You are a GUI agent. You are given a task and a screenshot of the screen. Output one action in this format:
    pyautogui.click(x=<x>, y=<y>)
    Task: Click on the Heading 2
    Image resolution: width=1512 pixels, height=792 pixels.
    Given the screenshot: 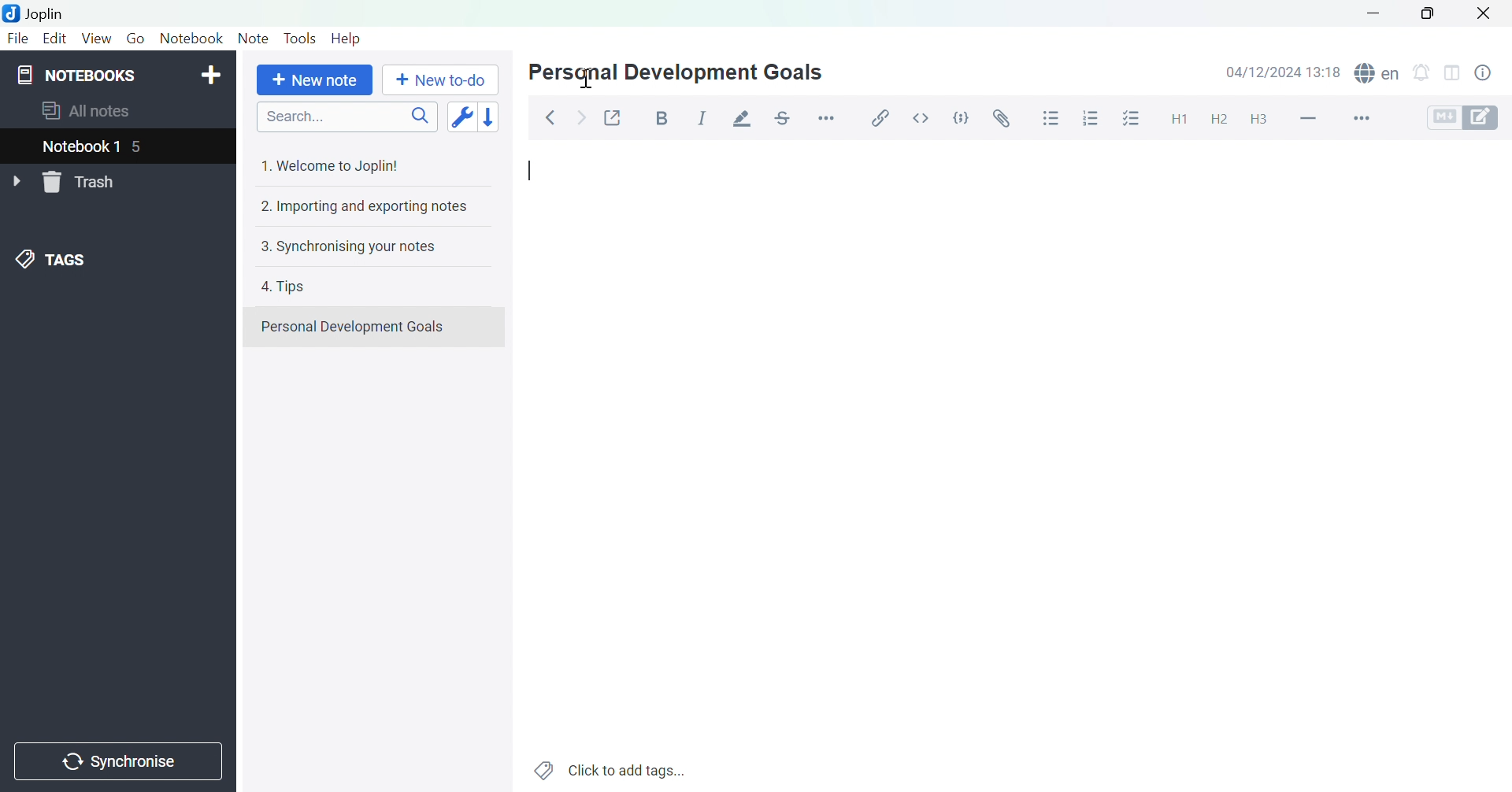 What is the action you would take?
    pyautogui.click(x=1218, y=121)
    